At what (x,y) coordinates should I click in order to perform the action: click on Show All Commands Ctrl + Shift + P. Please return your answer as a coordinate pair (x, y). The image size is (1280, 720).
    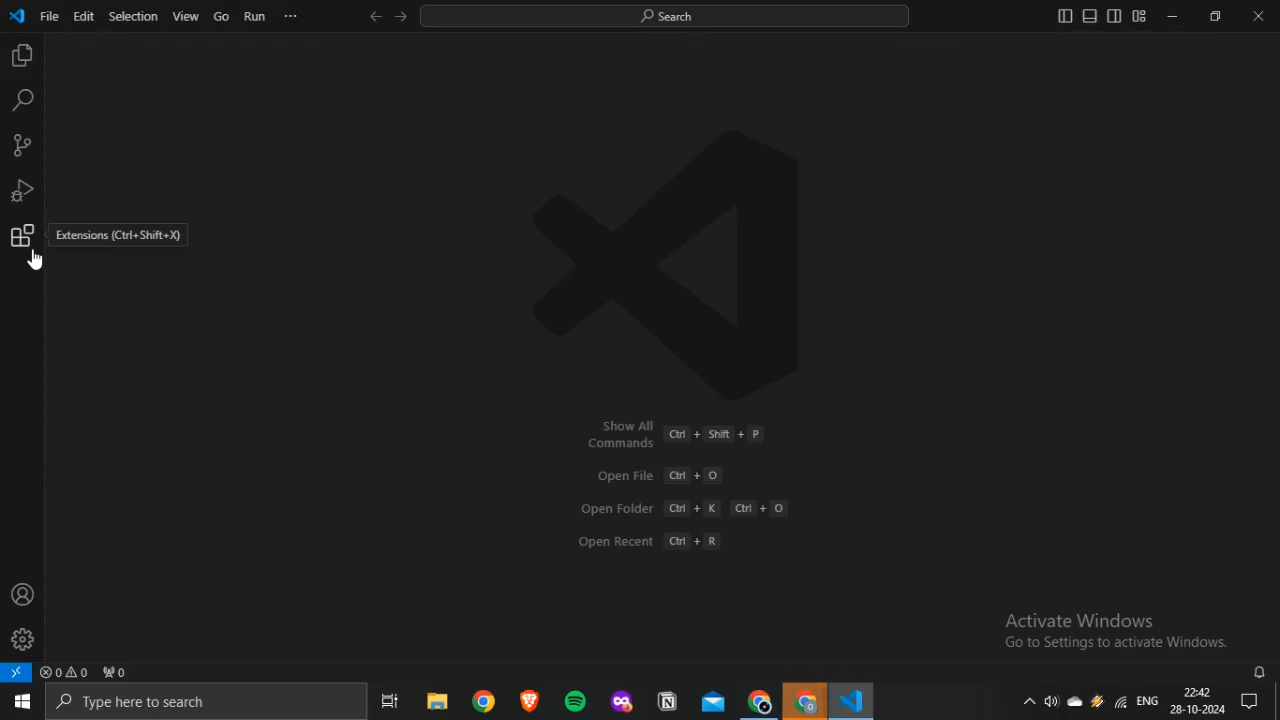
    Looking at the image, I should click on (672, 433).